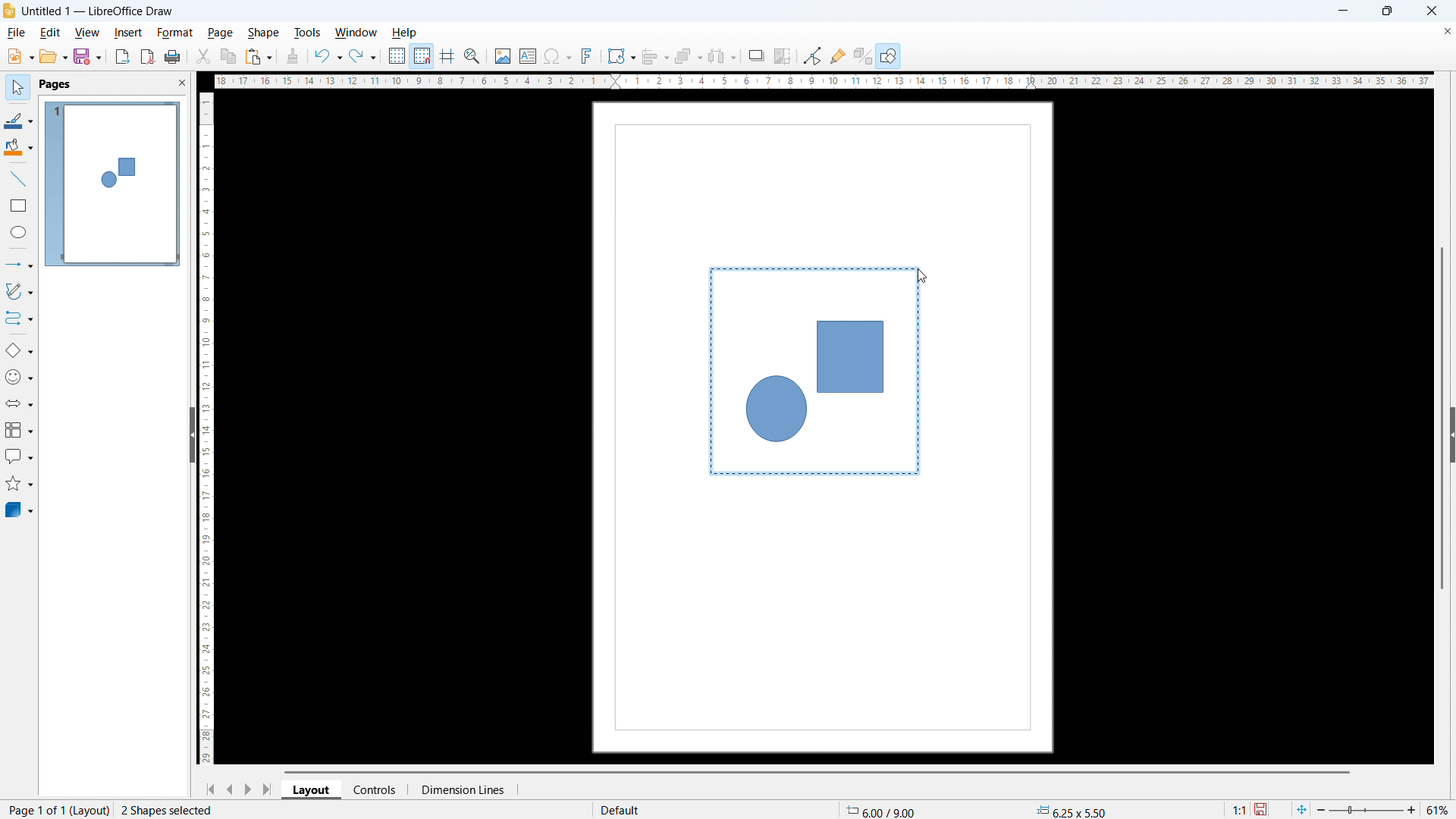 The image size is (1456, 819). Describe the element at coordinates (21, 56) in the screenshot. I see `new` at that location.